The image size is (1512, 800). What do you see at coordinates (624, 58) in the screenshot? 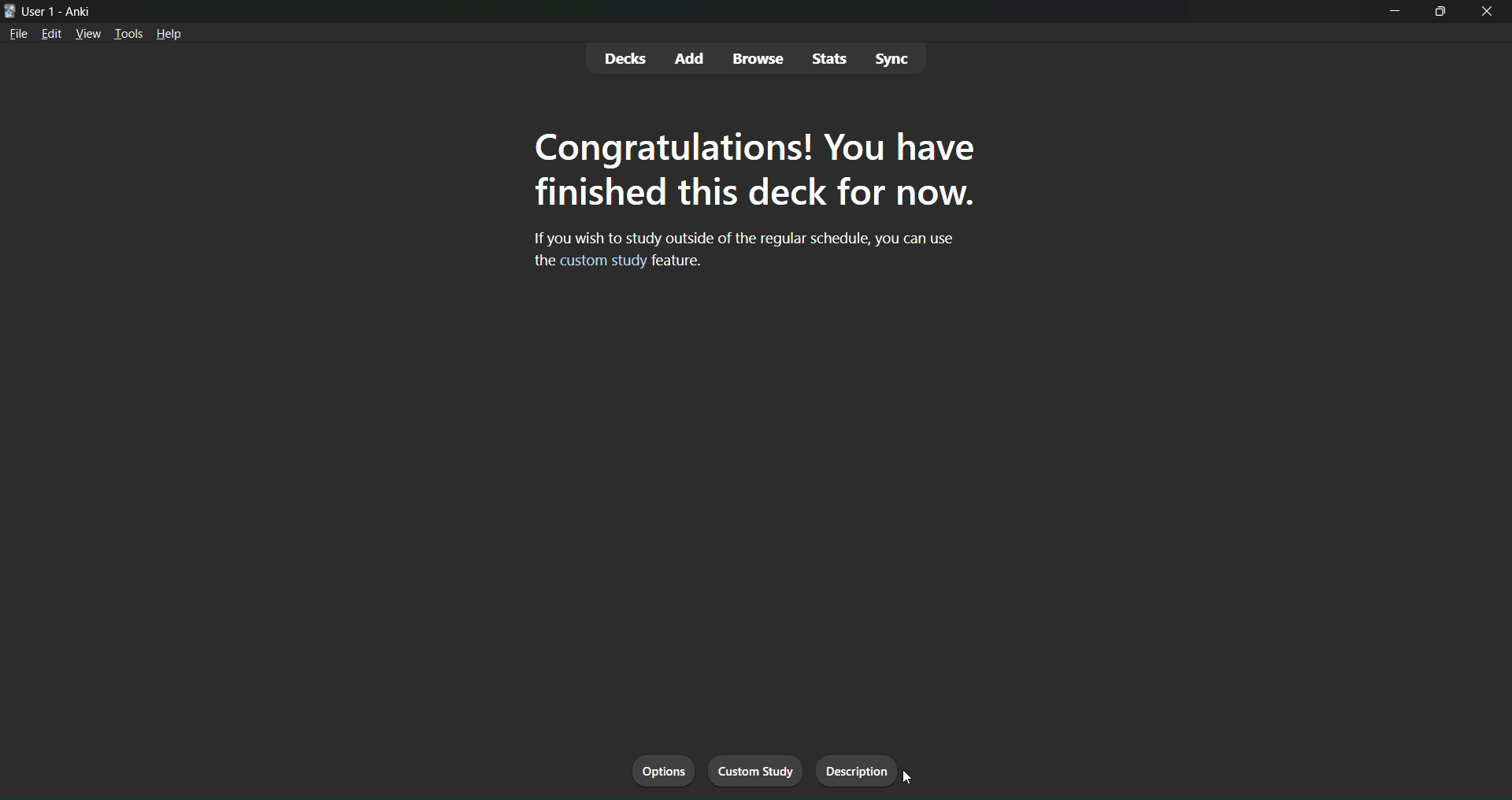
I see `decks` at bounding box center [624, 58].